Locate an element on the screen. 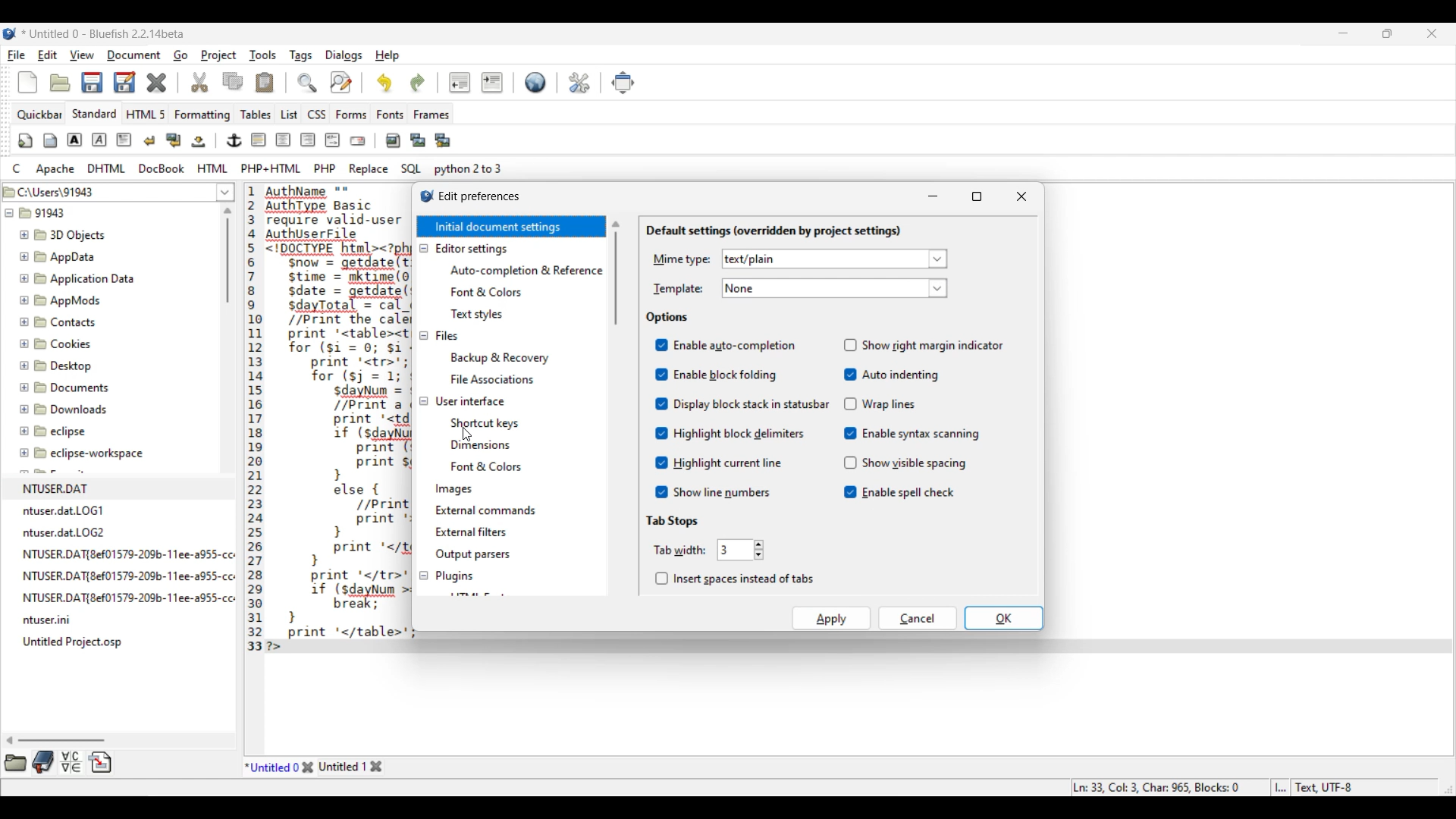  Downloads is located at coordinates (65, 408).